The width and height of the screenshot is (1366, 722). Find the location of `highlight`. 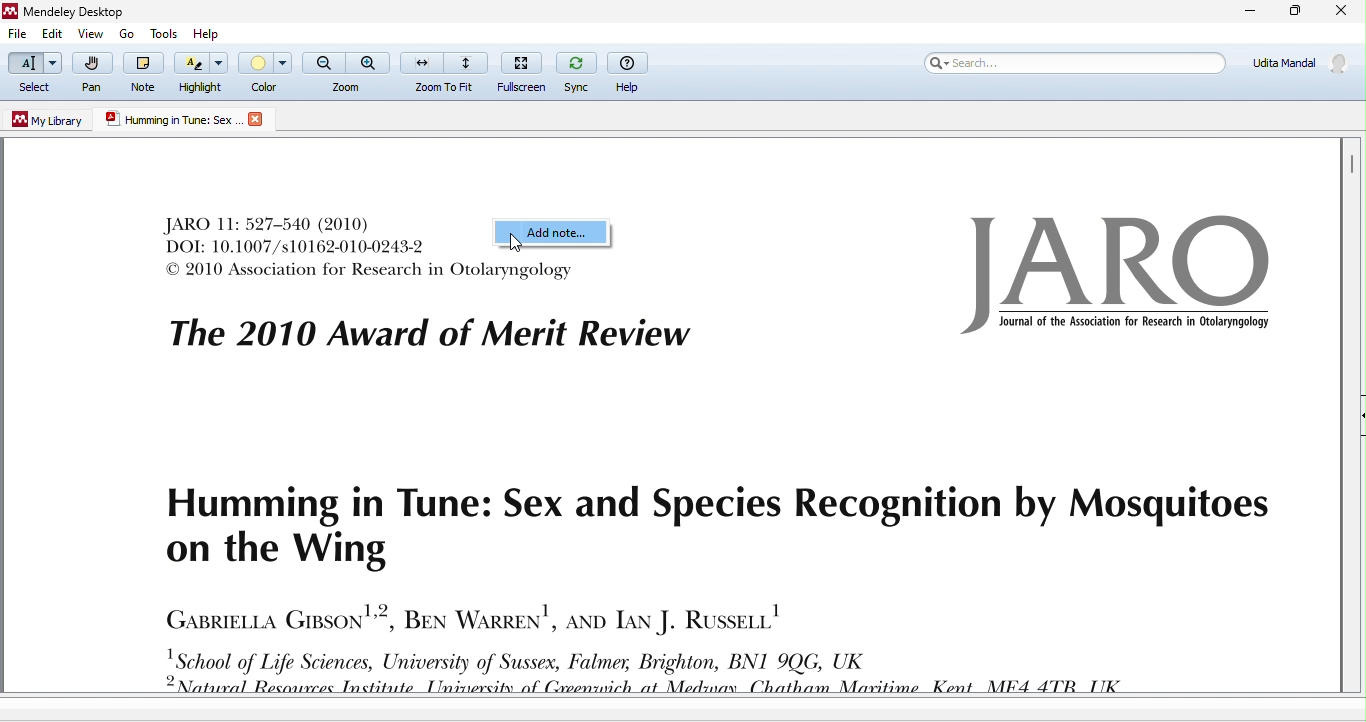

highlight is located at coordinates (199, 73).